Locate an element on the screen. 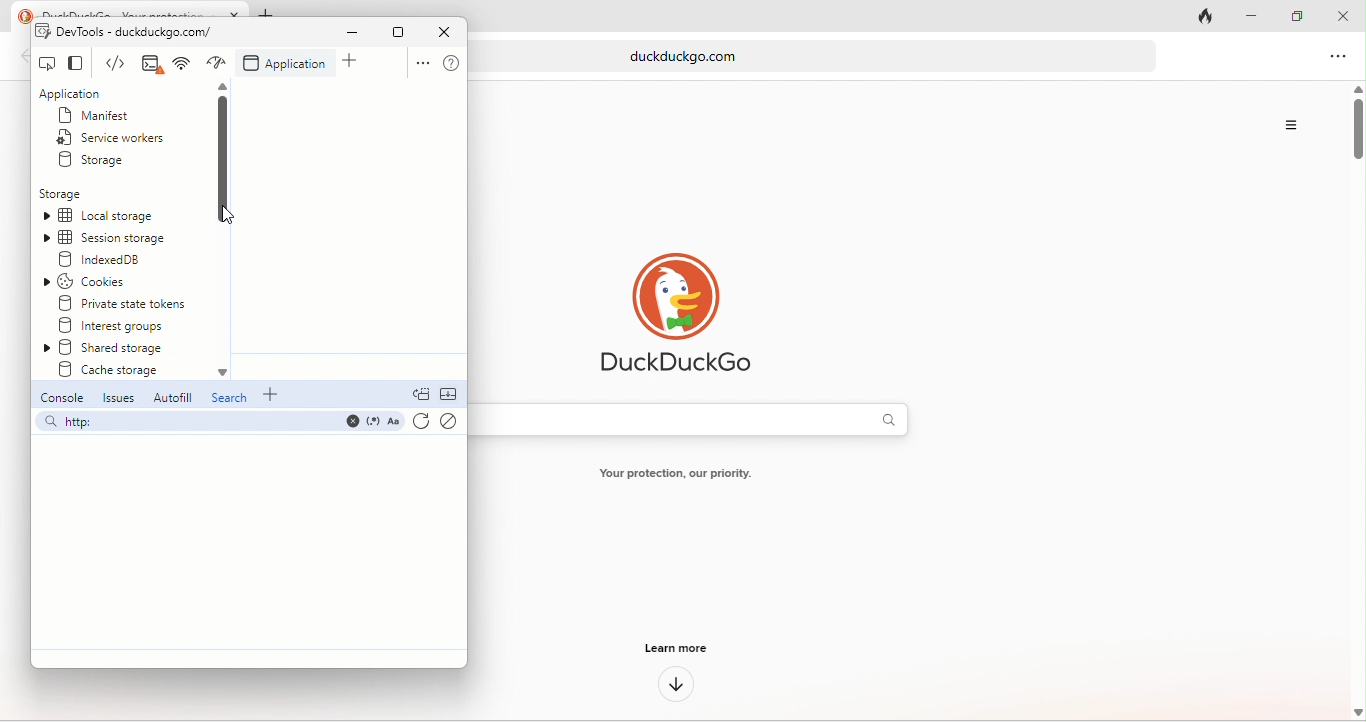  down arrow is located at coordinates (671, 687).